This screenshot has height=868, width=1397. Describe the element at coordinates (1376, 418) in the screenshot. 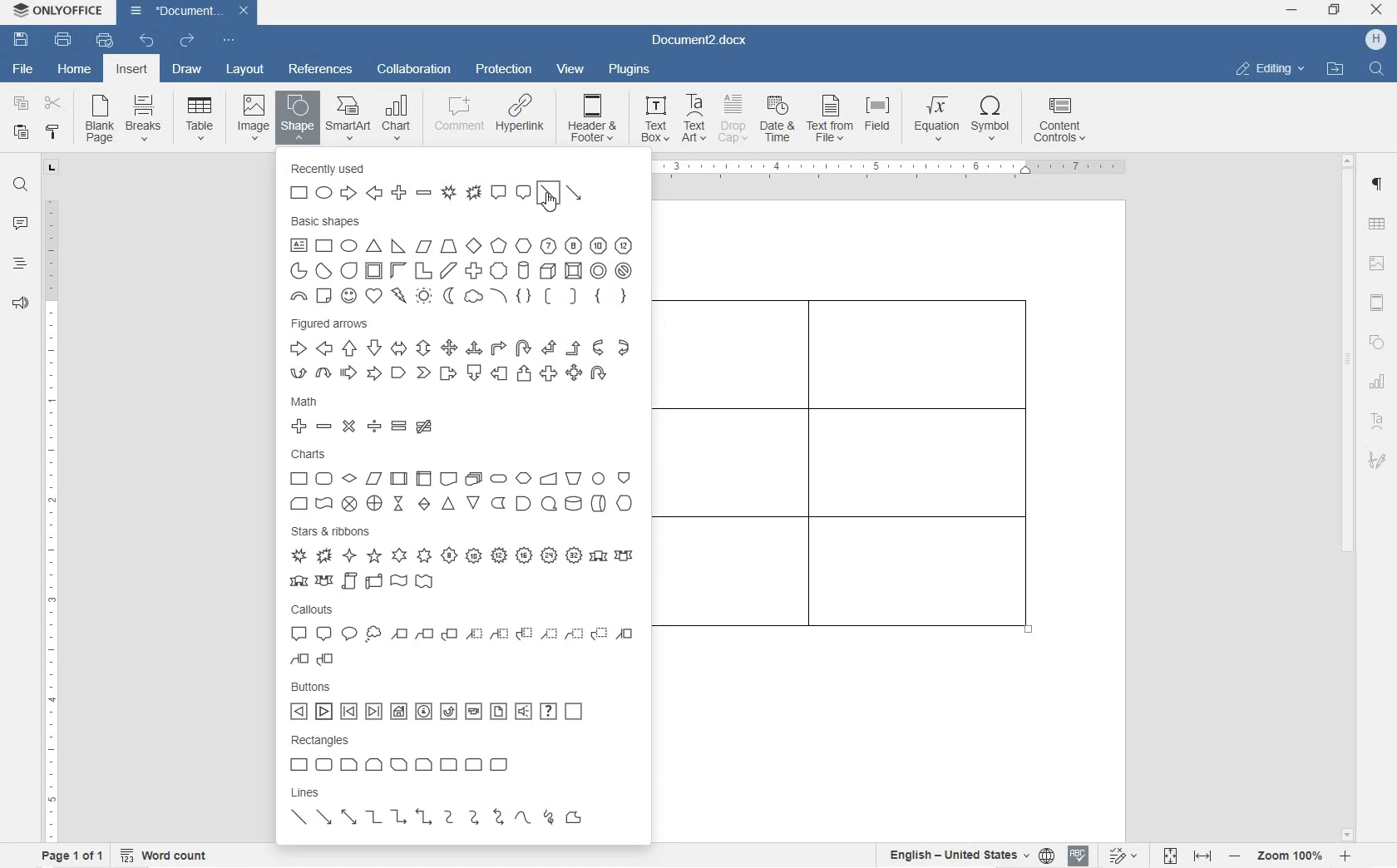

I see `textart` at that location.